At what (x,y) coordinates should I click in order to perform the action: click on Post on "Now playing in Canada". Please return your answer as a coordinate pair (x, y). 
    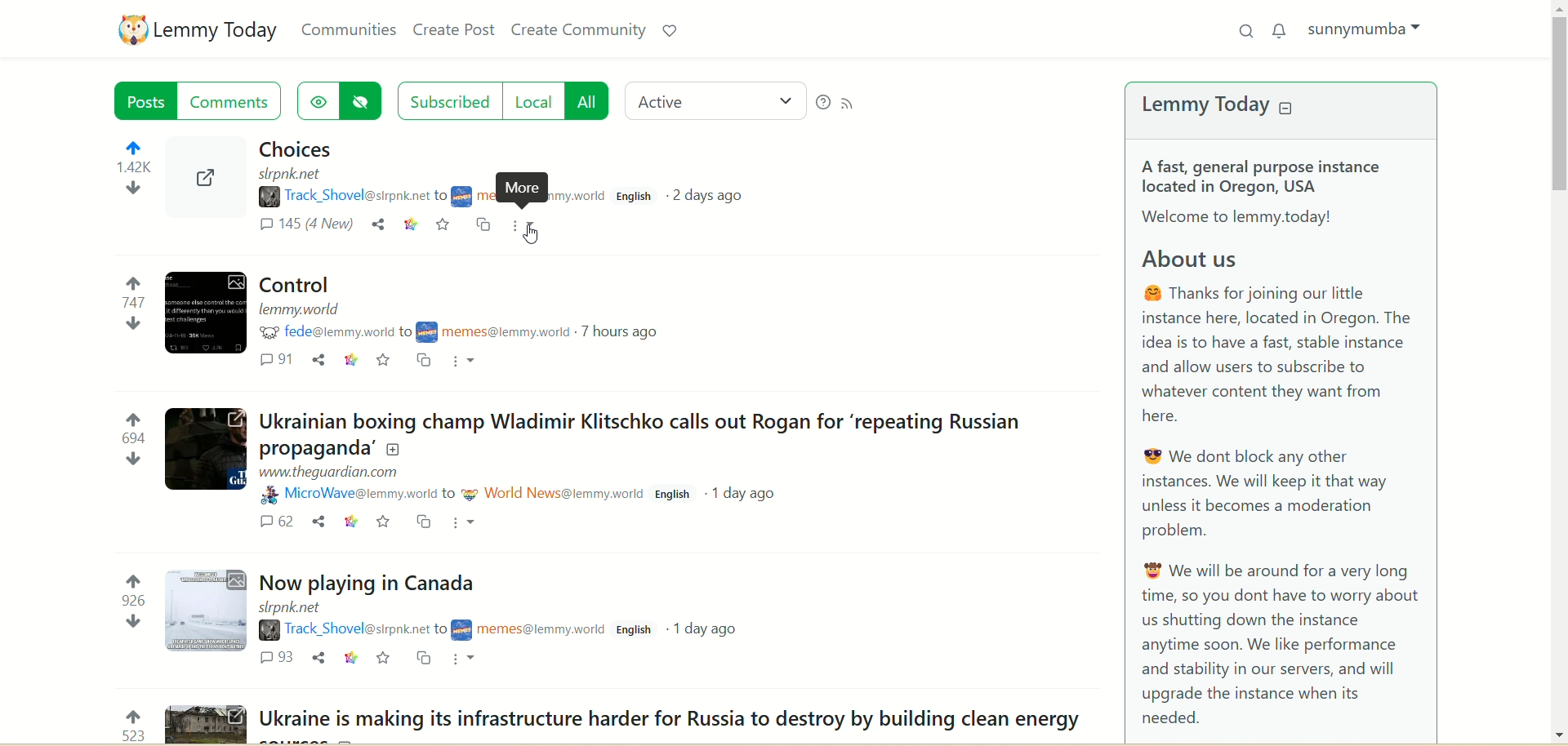
    Looking at the image, I should click on (372, 583).